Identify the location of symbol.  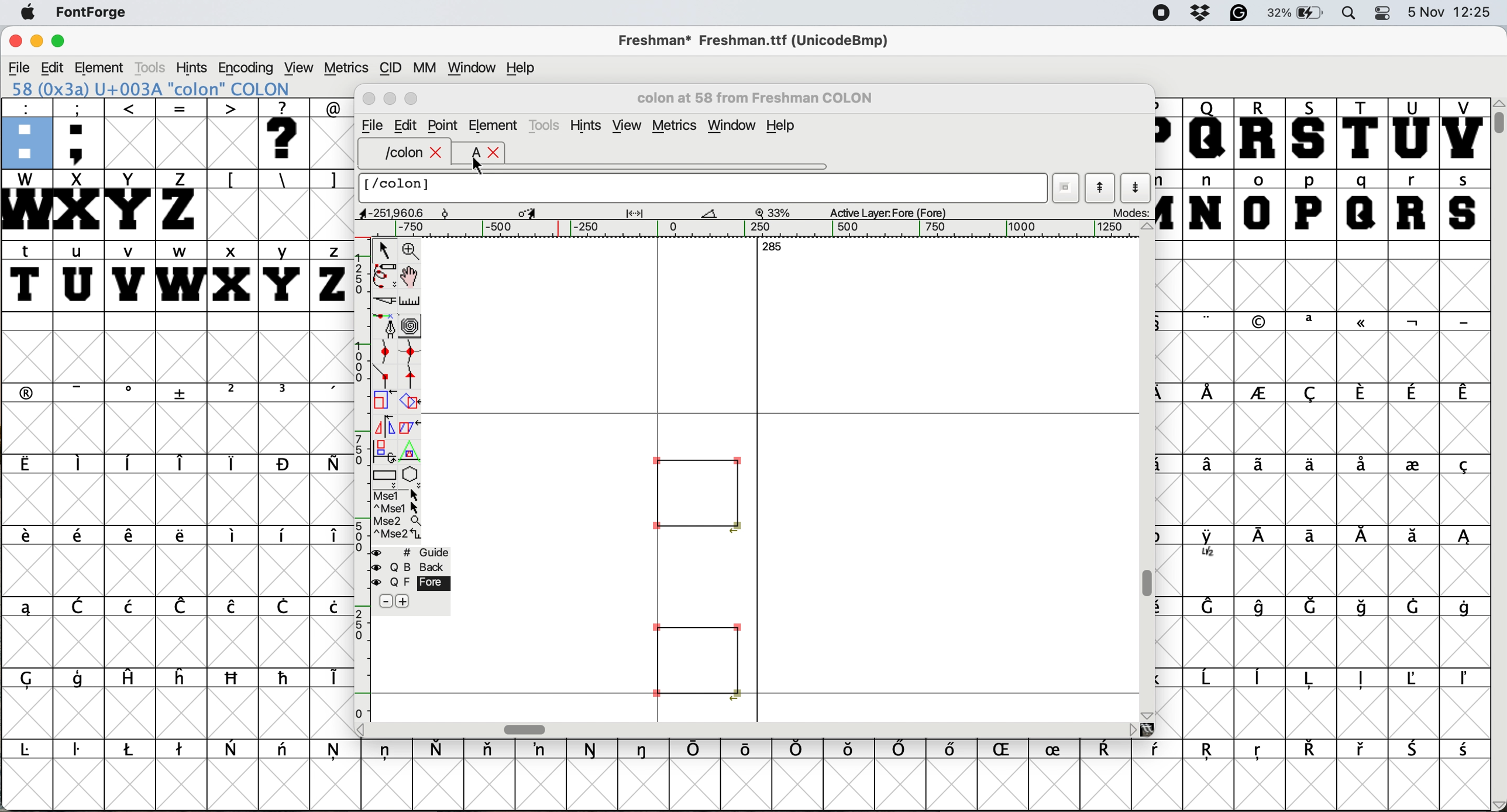
(1315, 537).